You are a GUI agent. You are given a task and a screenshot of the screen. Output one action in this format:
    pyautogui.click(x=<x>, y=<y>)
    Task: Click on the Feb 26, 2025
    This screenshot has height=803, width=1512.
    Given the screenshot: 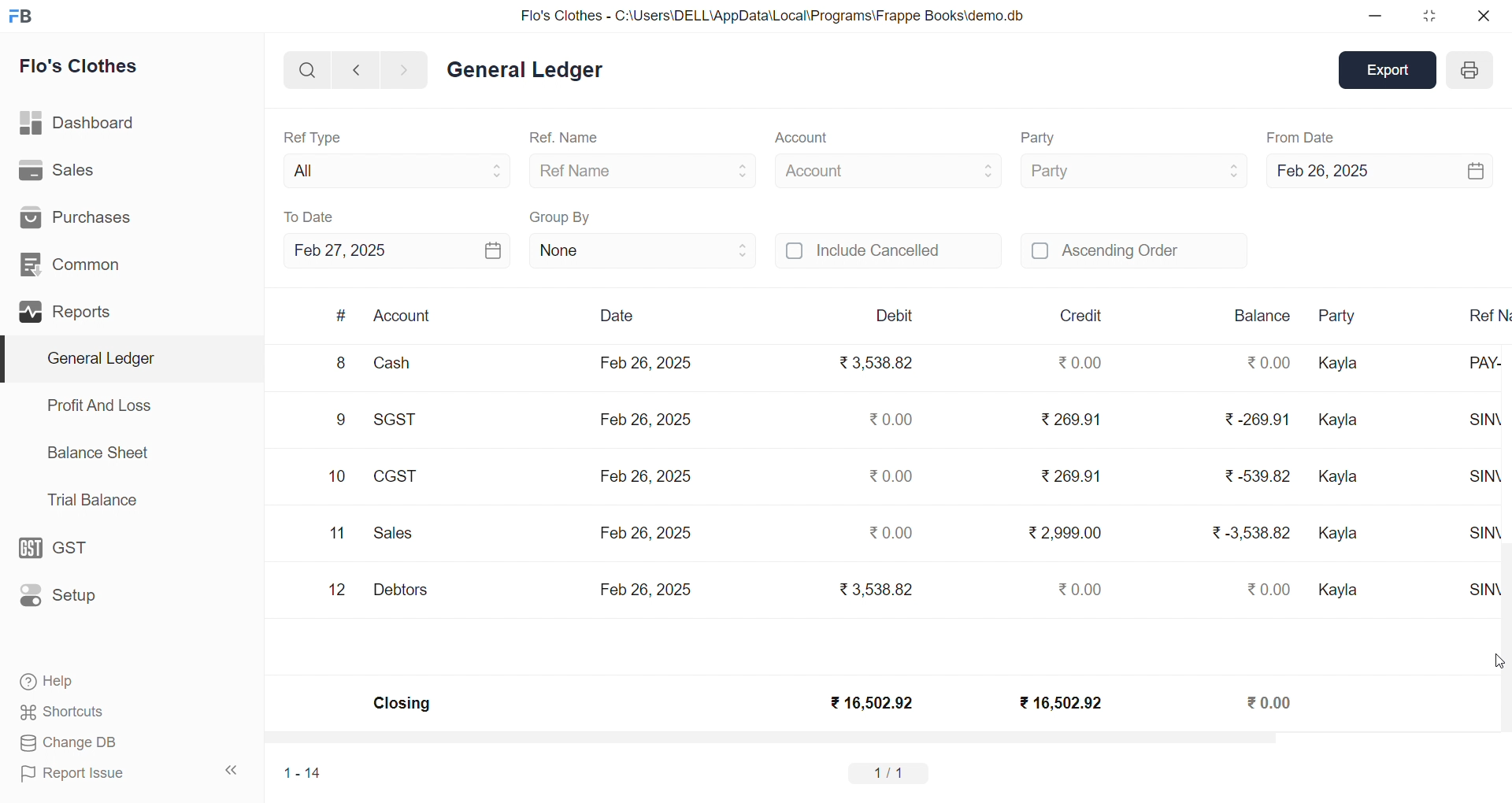 What is the action you would take?
    pyautogui.click(x=649, y=417)
    